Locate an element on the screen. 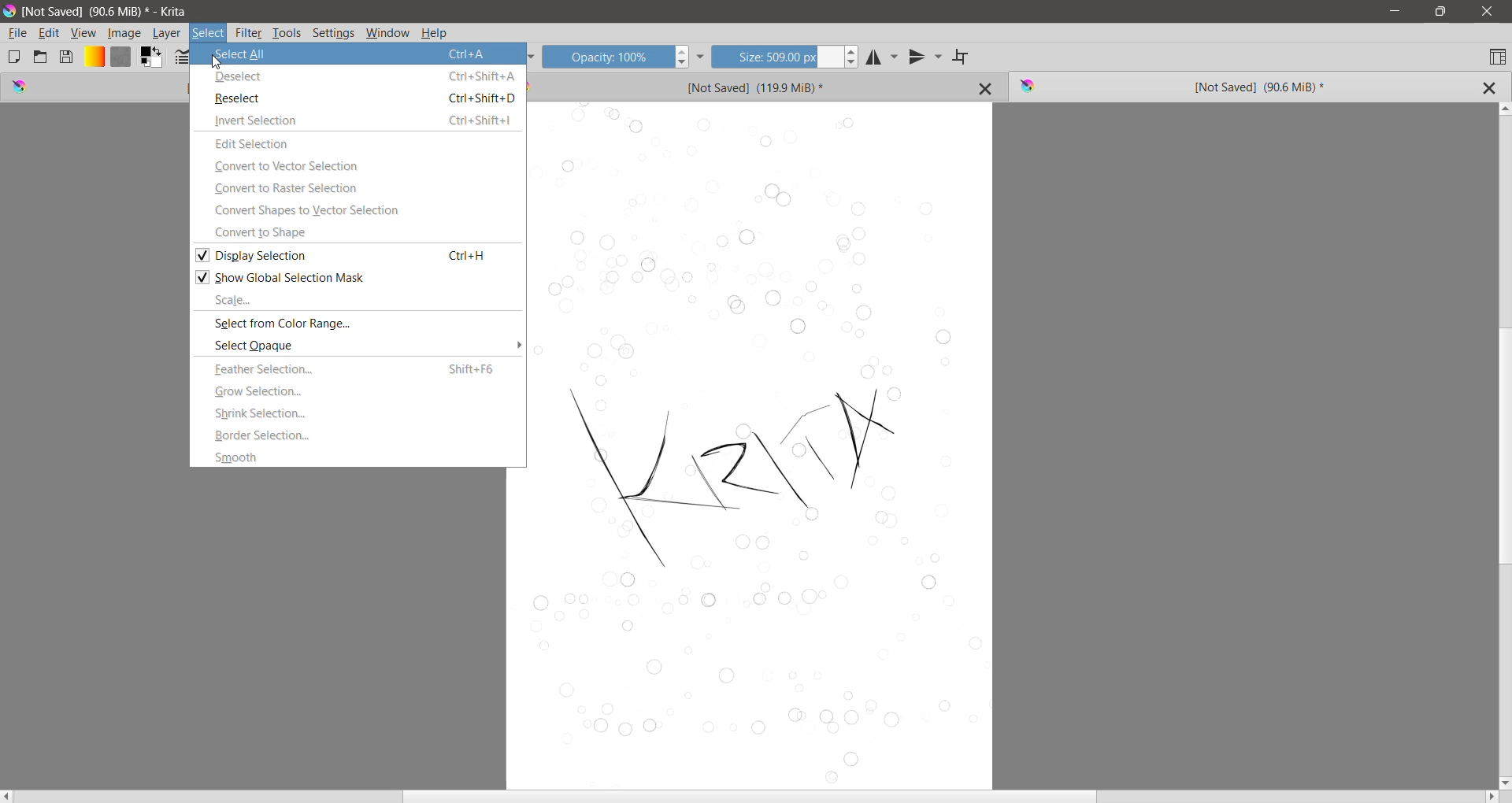 Image resolution: width=1512 pixels, height=803 pixels. Feather Selection is located at coordinates (358, 369).